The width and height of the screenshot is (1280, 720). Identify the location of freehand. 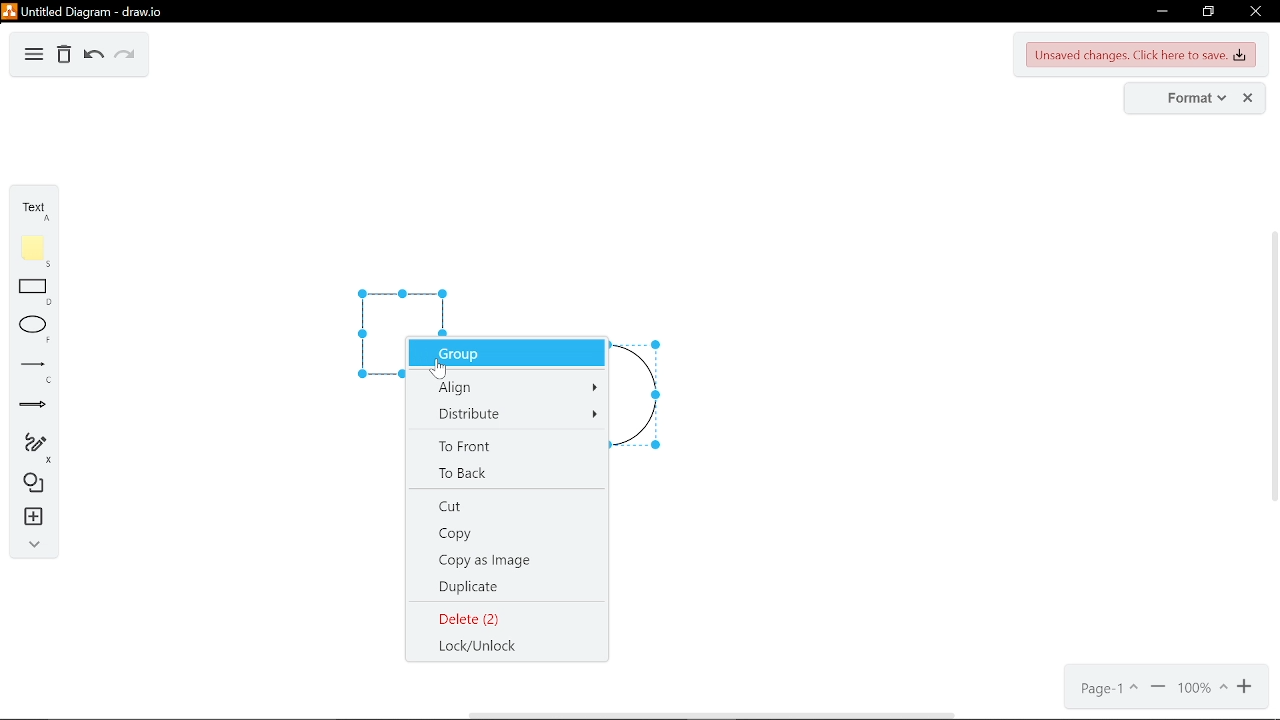
(29, 446).